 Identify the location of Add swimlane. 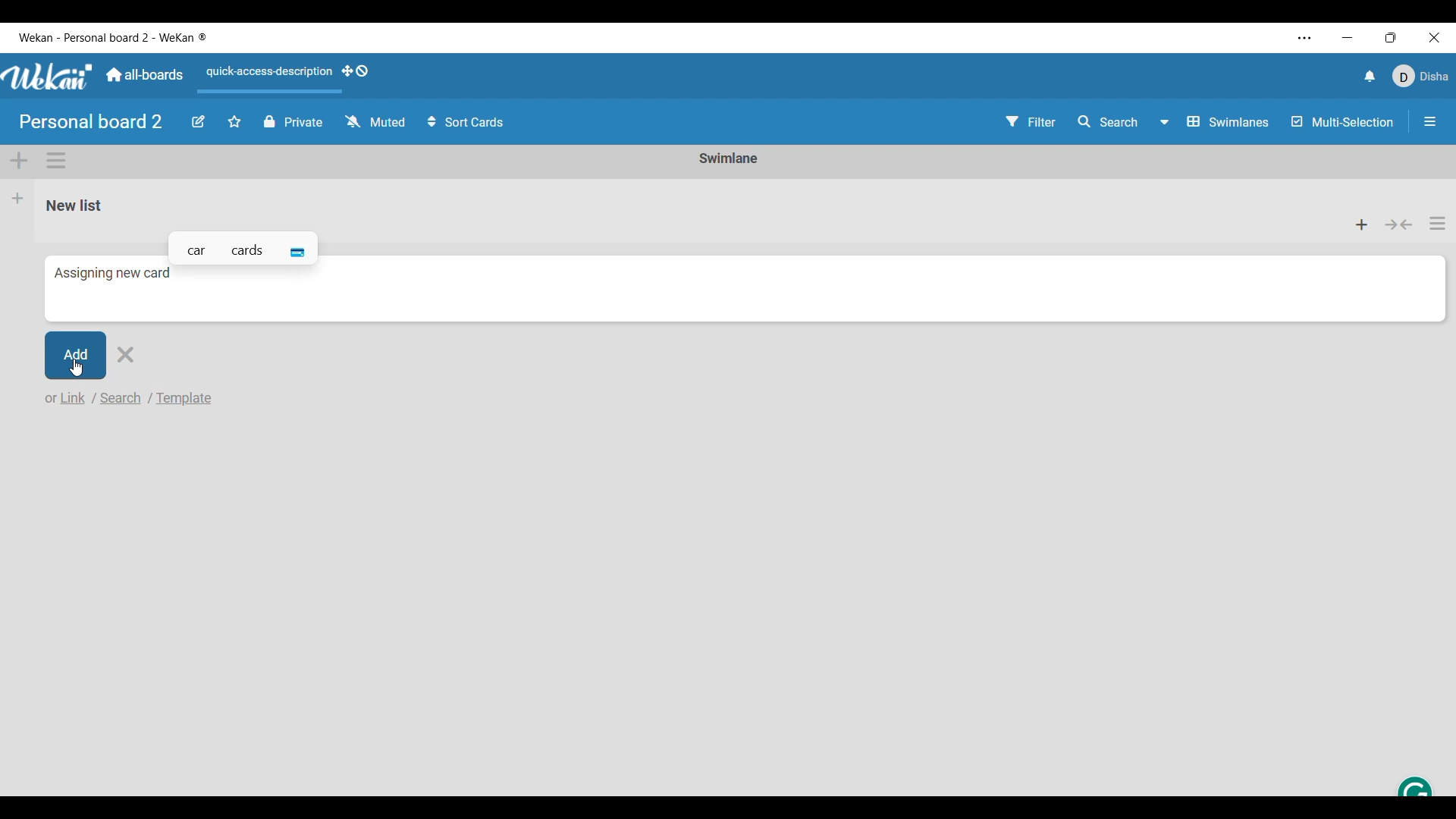
(20, 162).